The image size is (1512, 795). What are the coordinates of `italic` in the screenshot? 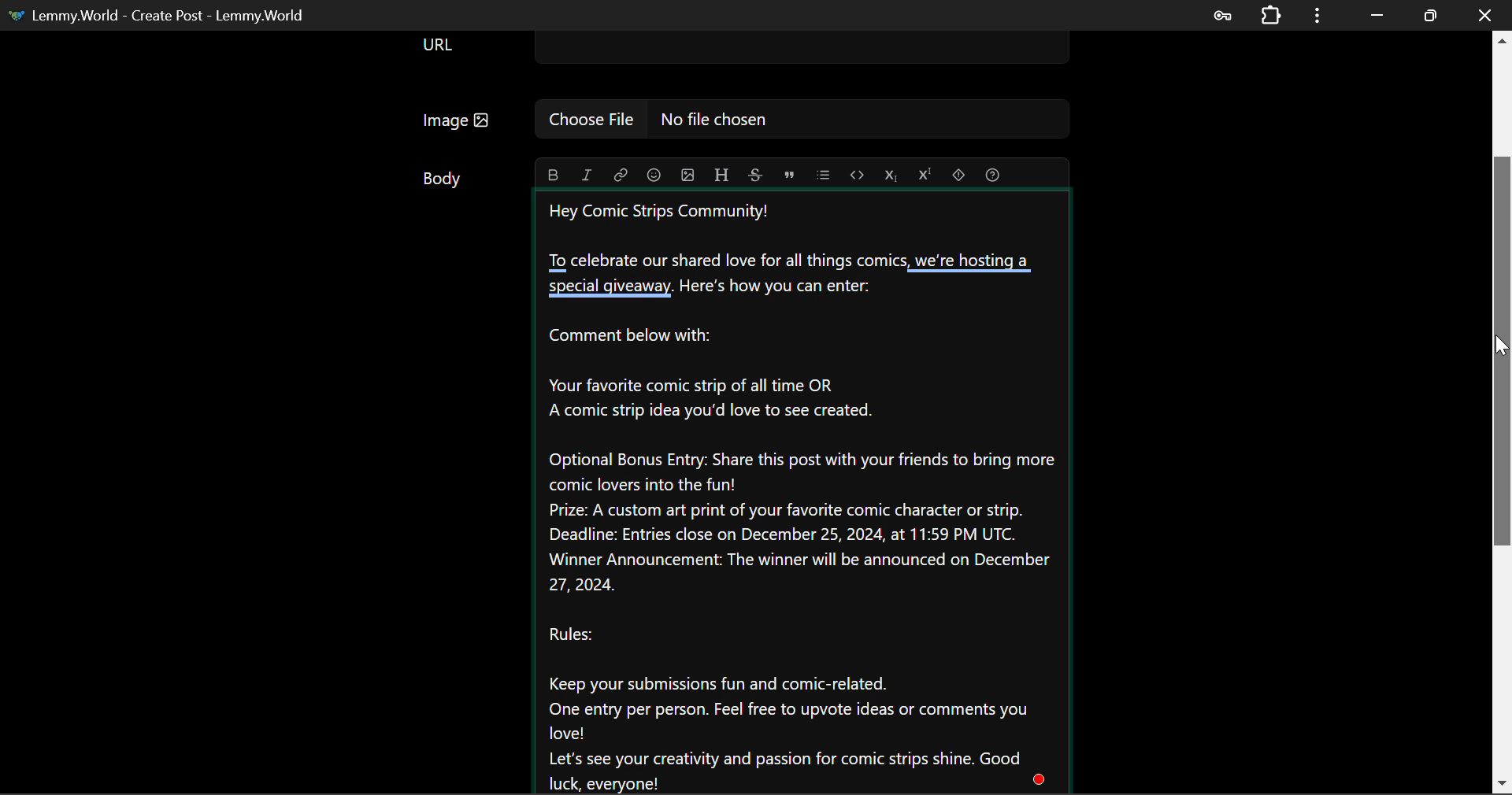 It's located at (619, 172).